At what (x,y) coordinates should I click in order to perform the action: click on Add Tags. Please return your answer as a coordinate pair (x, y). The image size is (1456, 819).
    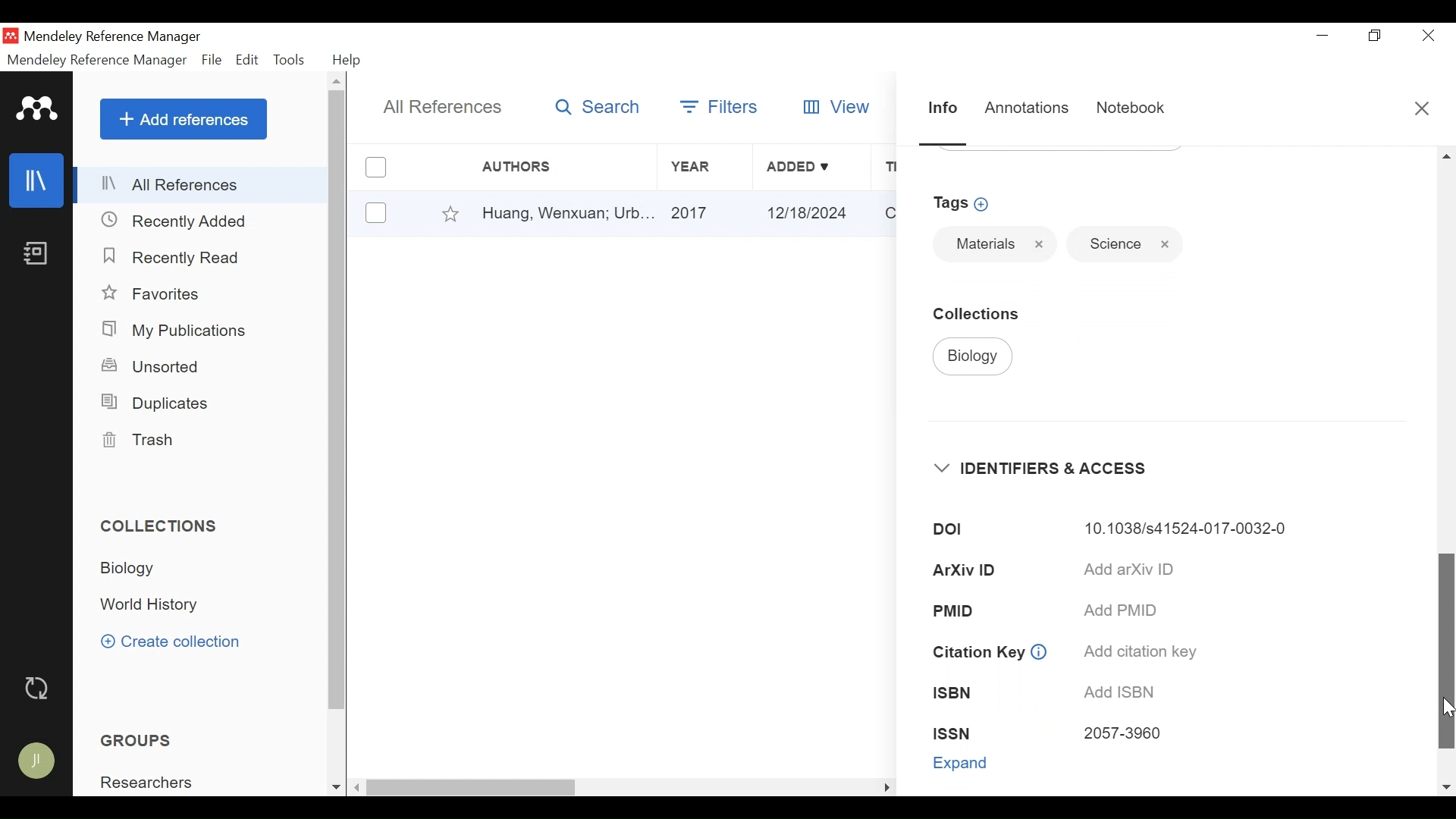
    Looking at the image, I should click on (965, 203).